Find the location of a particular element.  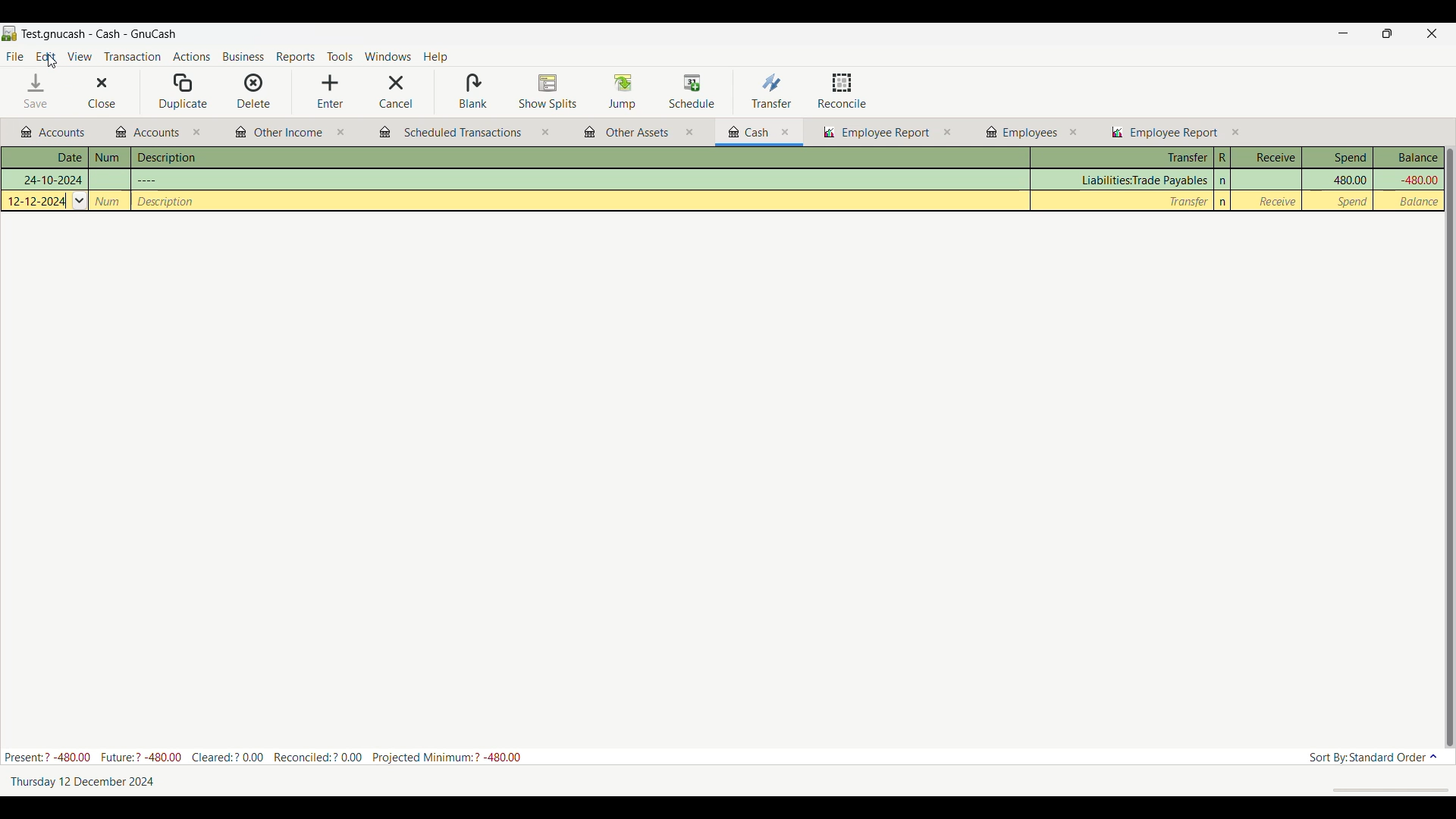

Transfer is located at coordinates (773, 91).